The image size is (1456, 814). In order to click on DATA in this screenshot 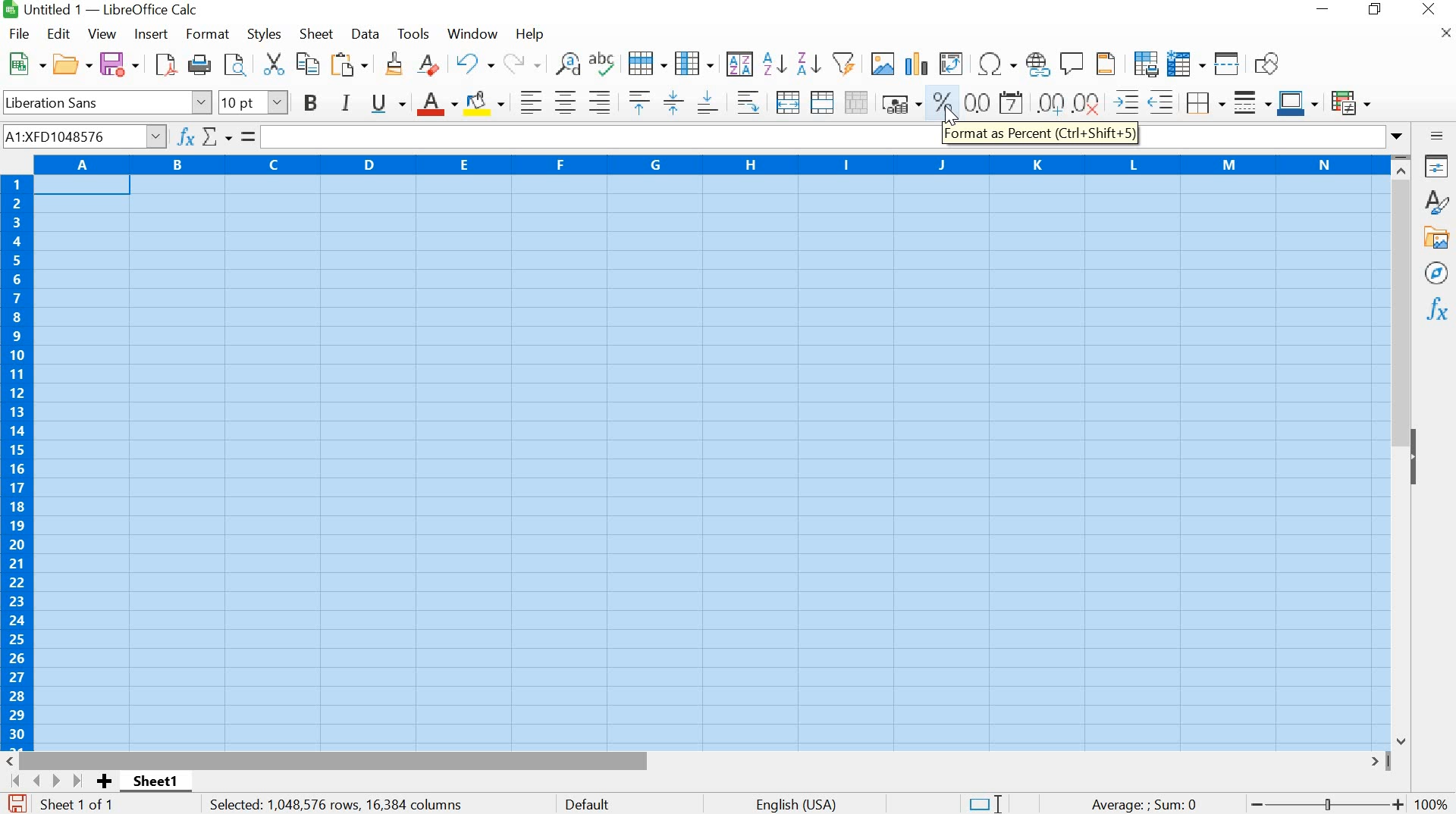, I will do `click(368, 33)`.